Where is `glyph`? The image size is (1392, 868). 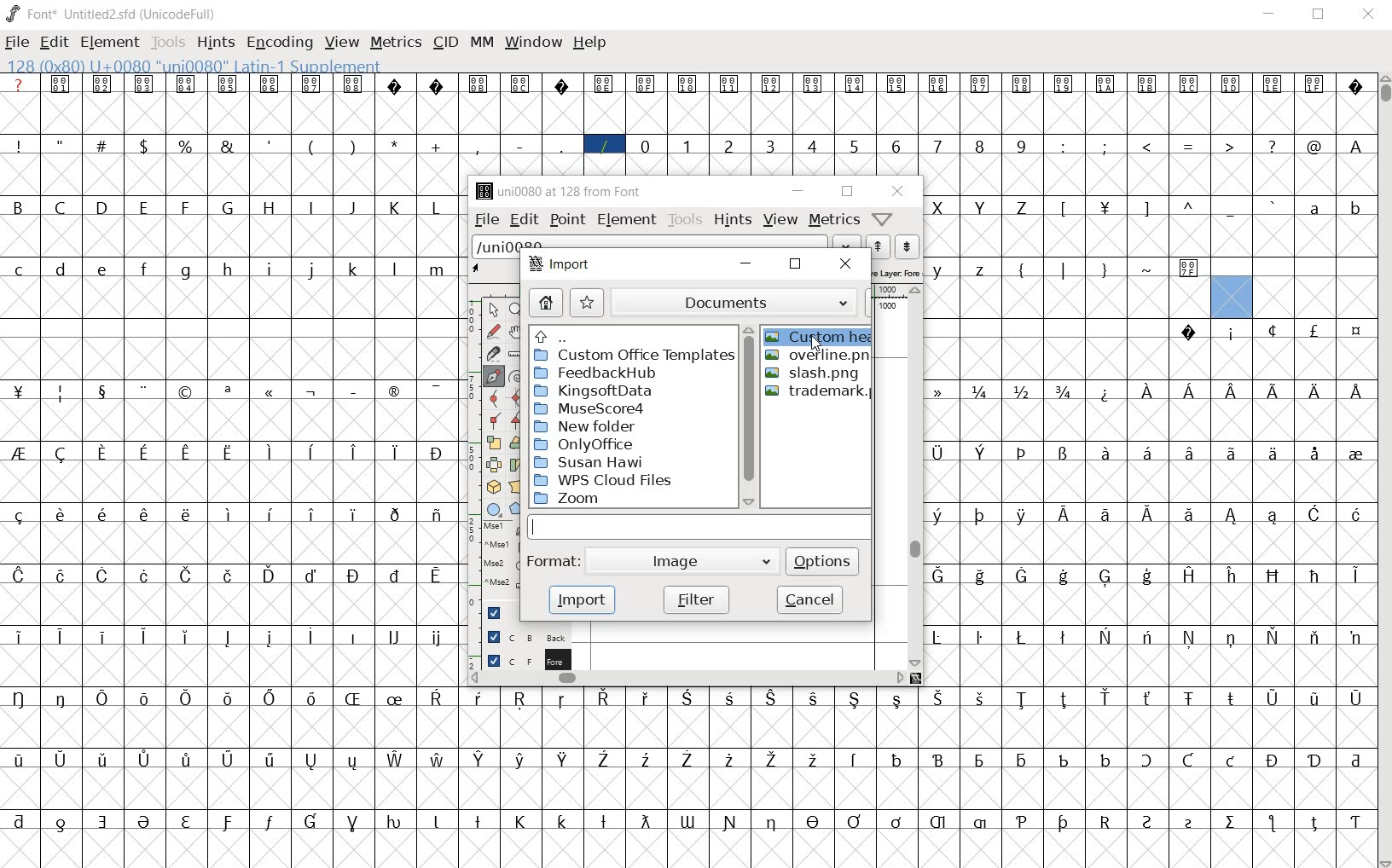
glyph is located at coordinates (603, 759).